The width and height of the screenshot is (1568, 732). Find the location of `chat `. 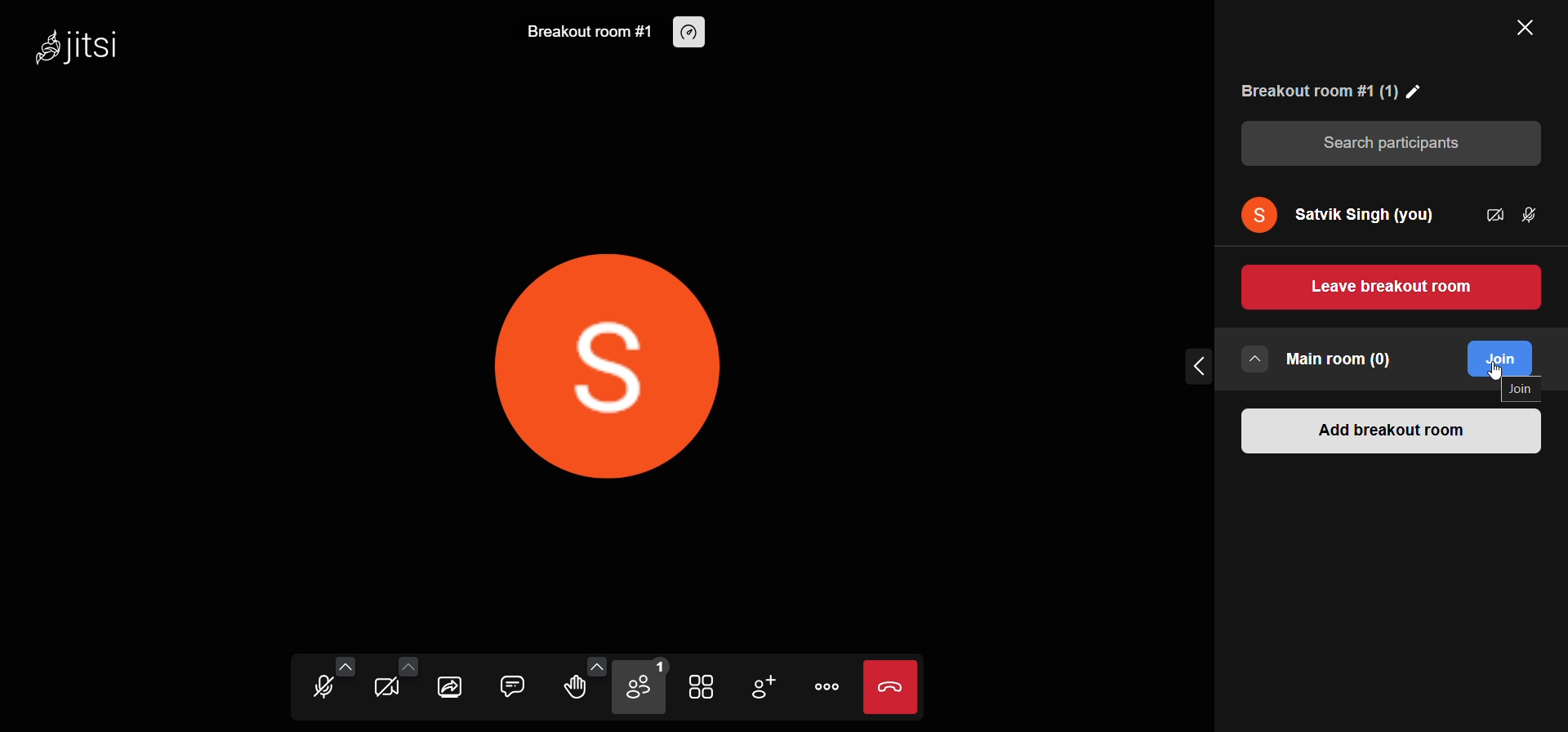

chat  is located at coordinates (510, 689).